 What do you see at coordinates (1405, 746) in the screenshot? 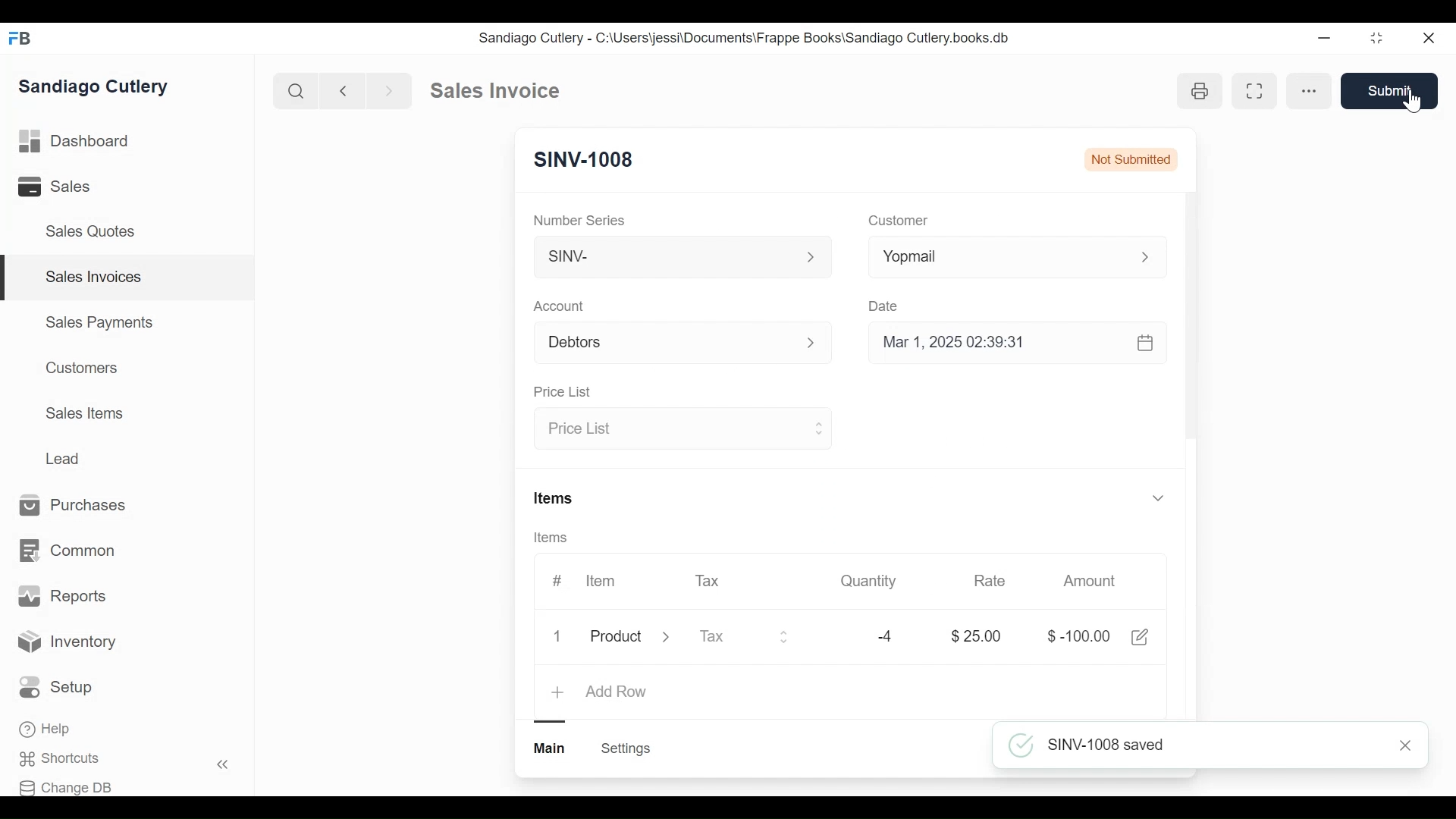
I see `Close notification` at bounding box center [1405, 746].